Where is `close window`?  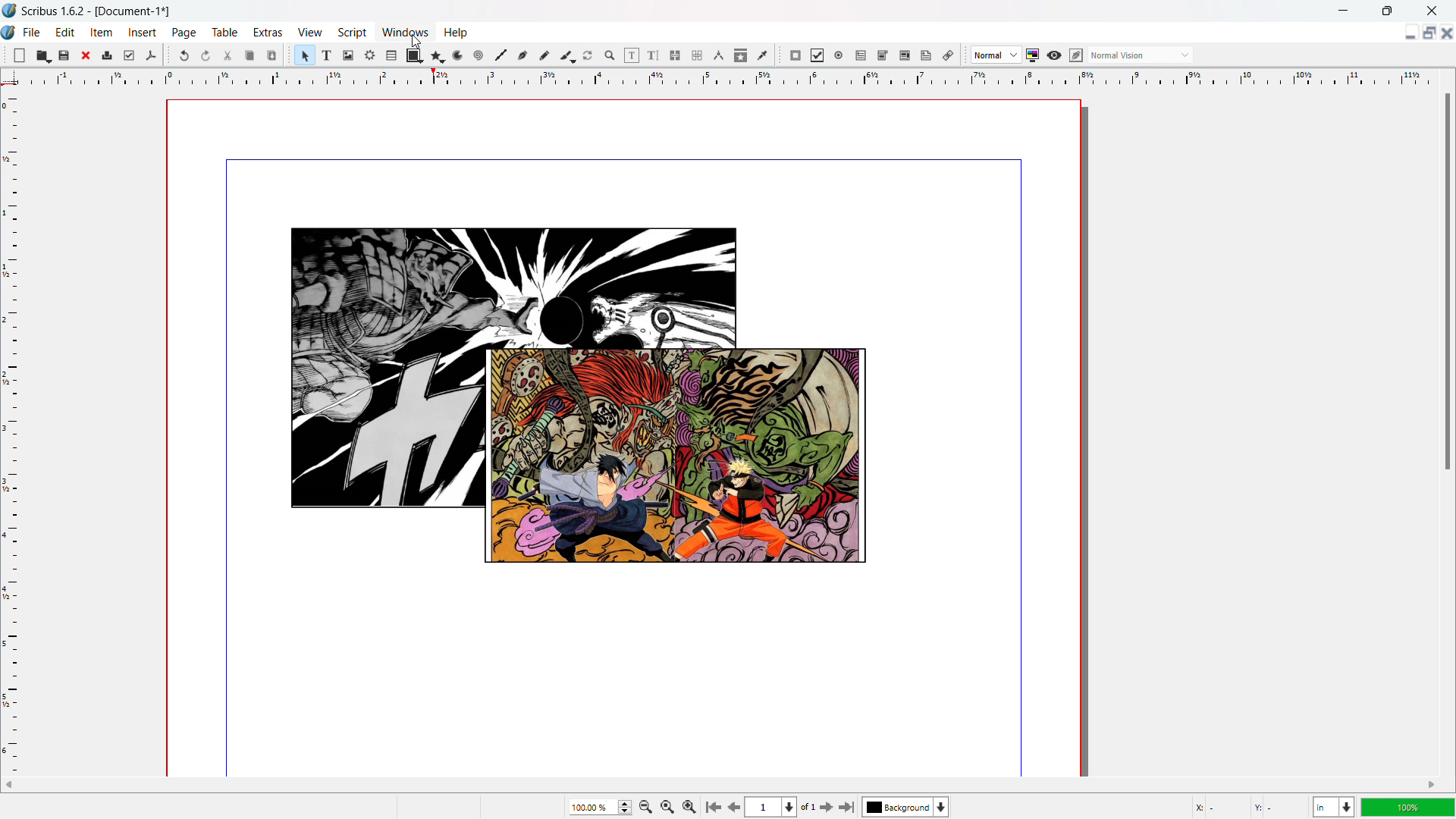
close window is located at coordinates (1432, 11).